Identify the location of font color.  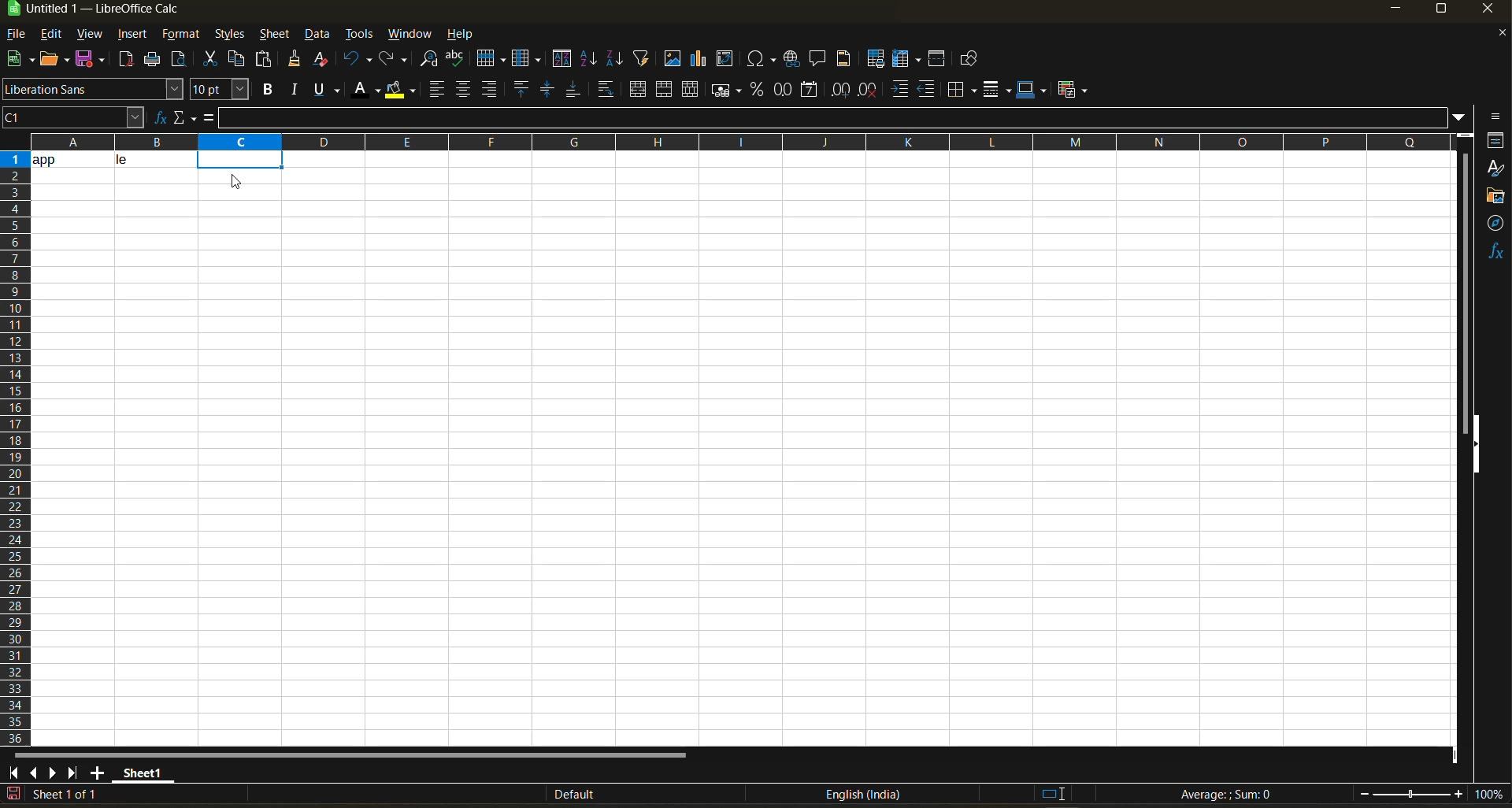
(369, 88).